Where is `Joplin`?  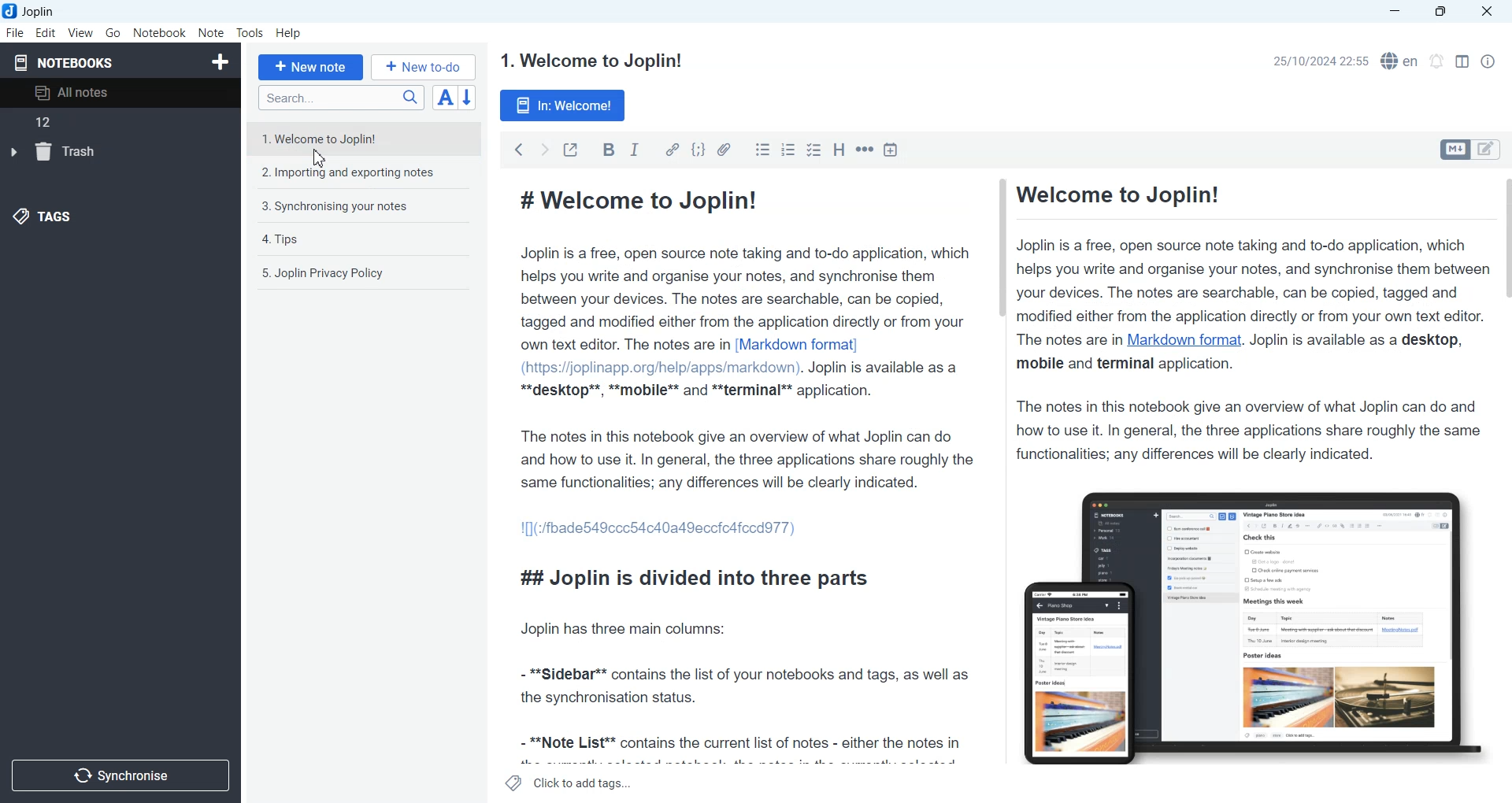 Joplin is located at coordinates (34, 11).